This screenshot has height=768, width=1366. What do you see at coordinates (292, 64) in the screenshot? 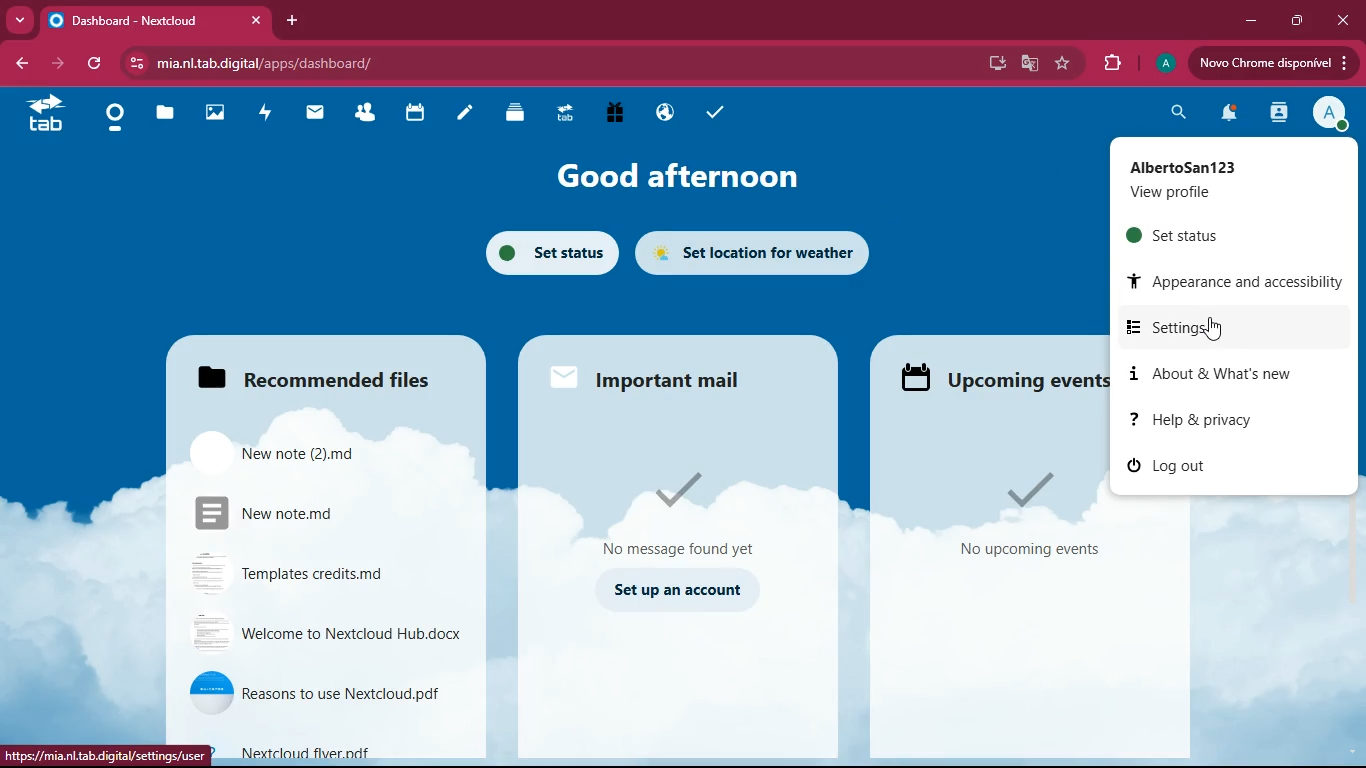
I see `url` at bounding box center [292, 64].